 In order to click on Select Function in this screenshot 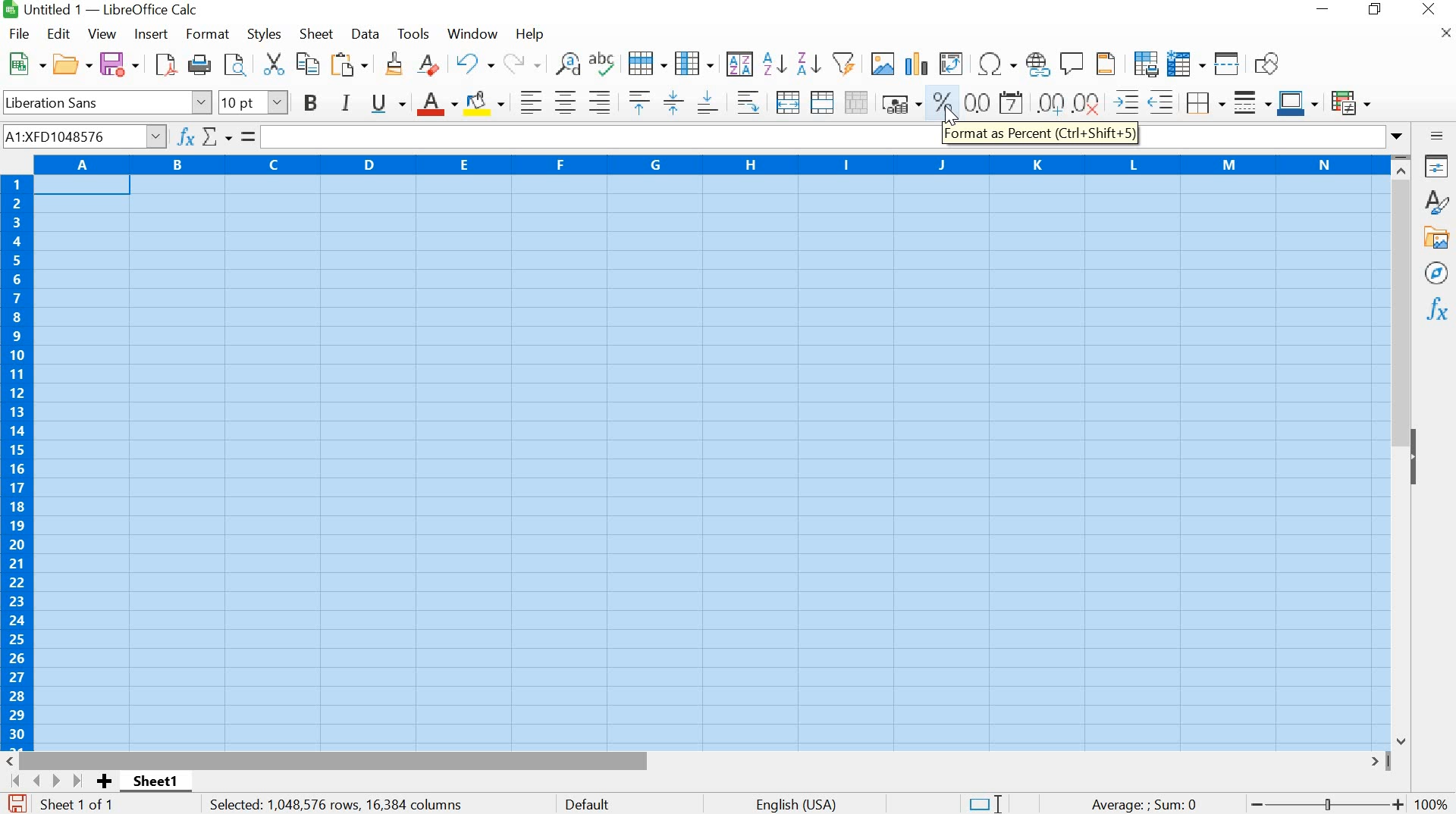, I will do `click(217, 137)`.